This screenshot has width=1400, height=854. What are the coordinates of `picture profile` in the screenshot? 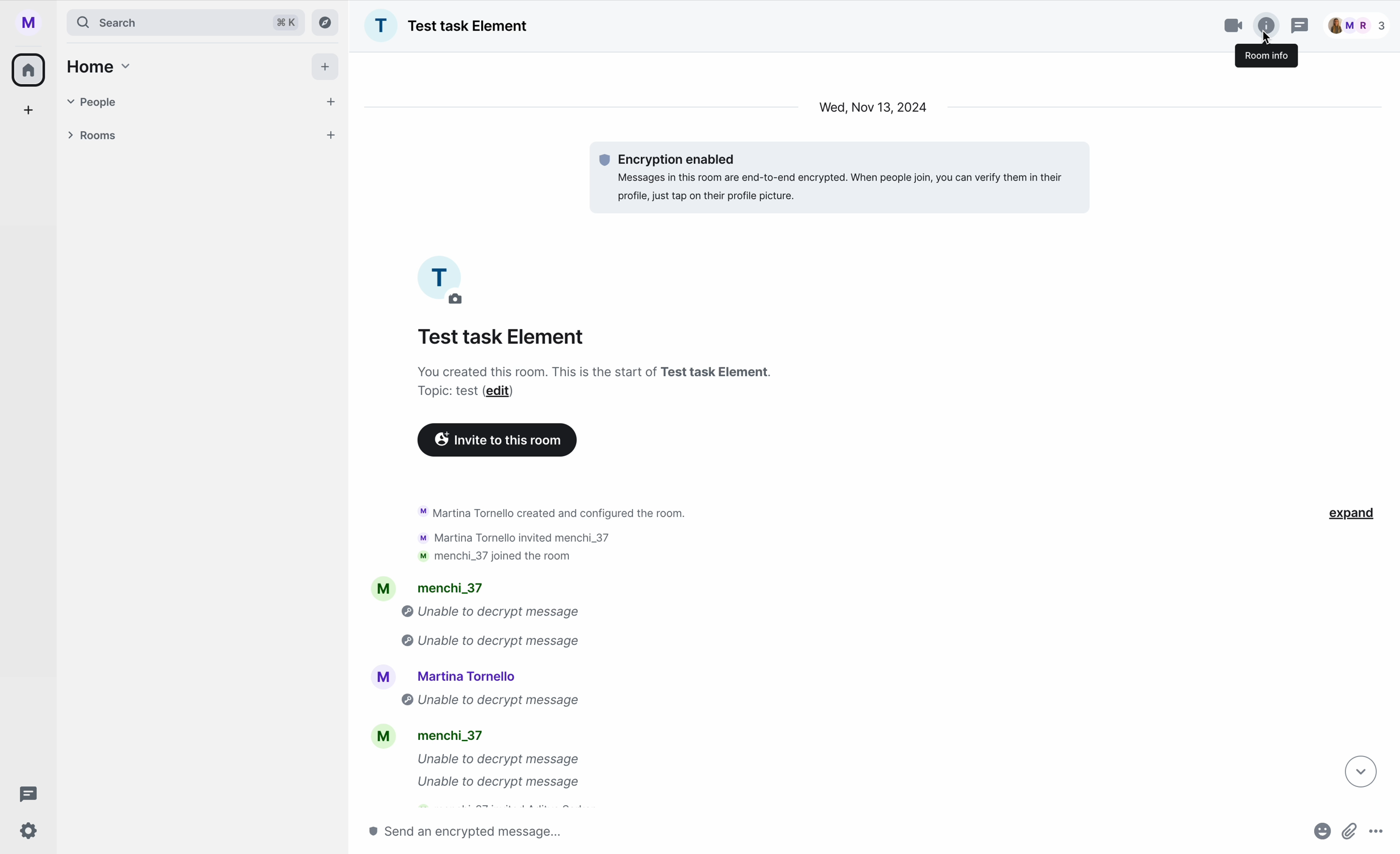 It's located at (444, 284).